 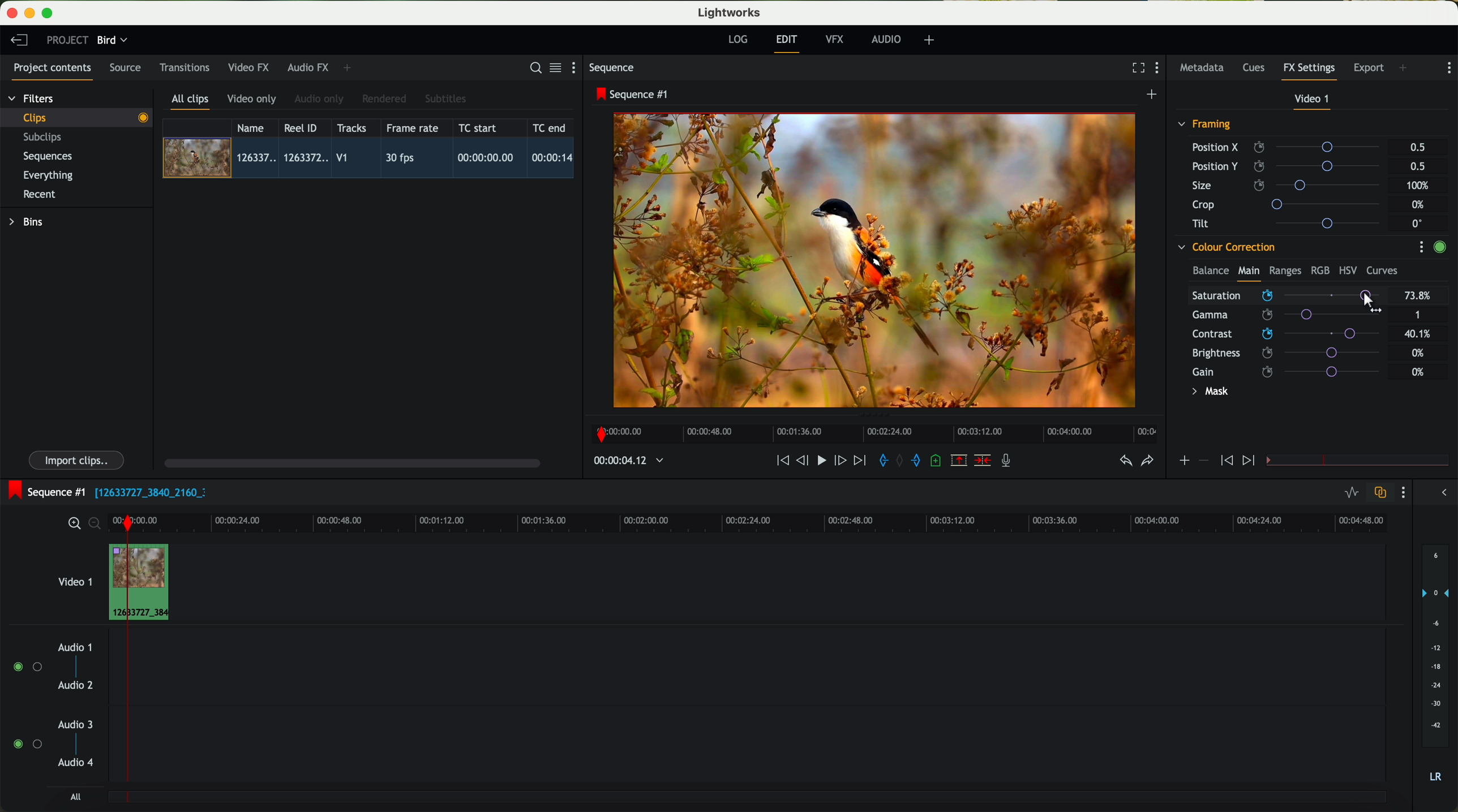 I want to click on audio output level (d/B), so click(x=1436, y=667).